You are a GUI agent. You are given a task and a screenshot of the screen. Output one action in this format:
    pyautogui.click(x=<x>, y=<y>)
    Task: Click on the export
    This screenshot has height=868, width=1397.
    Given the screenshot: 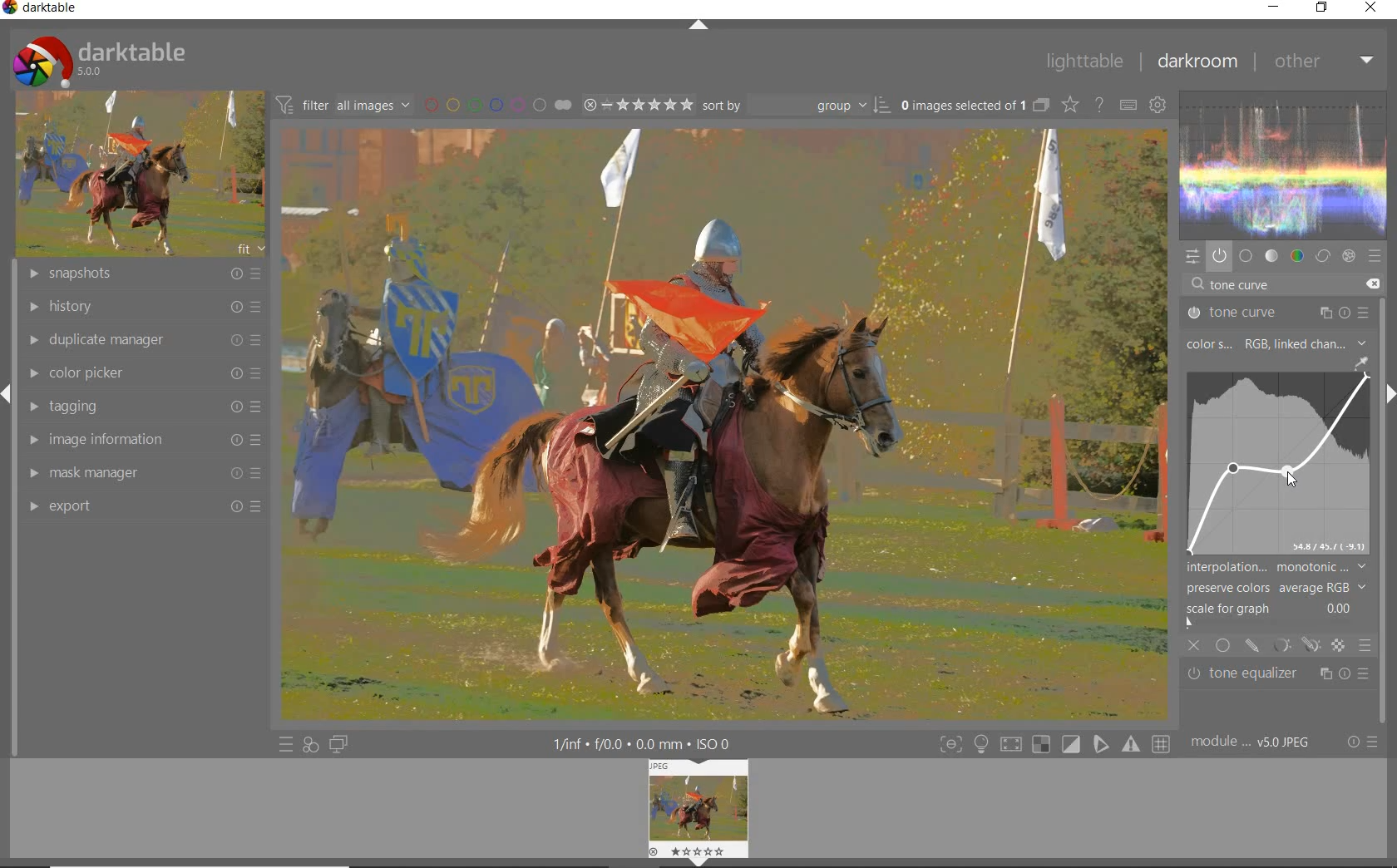 What is the action you would take?
    pyautogui.click(x=141, y=506)
    